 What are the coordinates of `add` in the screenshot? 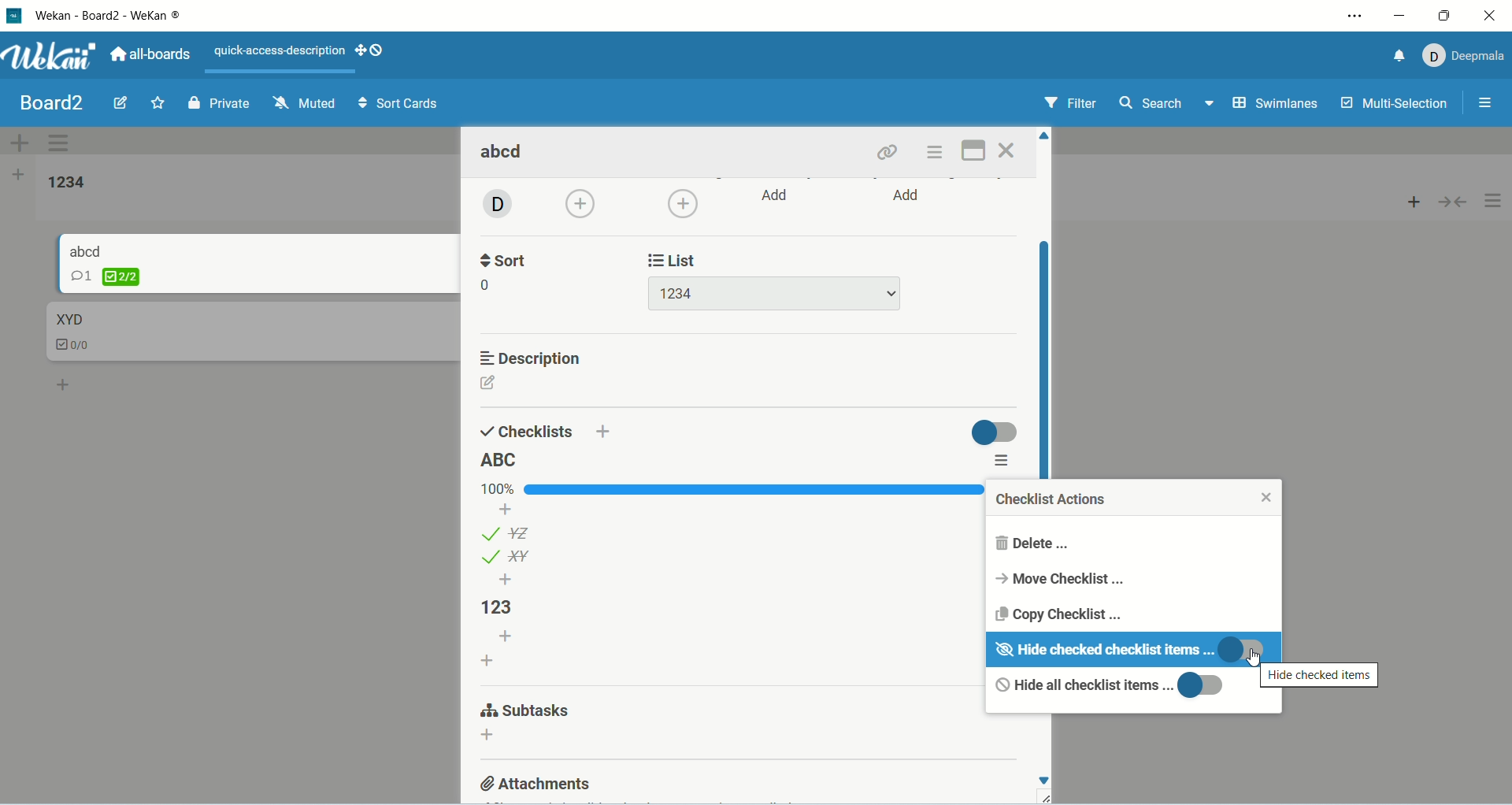 It's located at (506, 580).